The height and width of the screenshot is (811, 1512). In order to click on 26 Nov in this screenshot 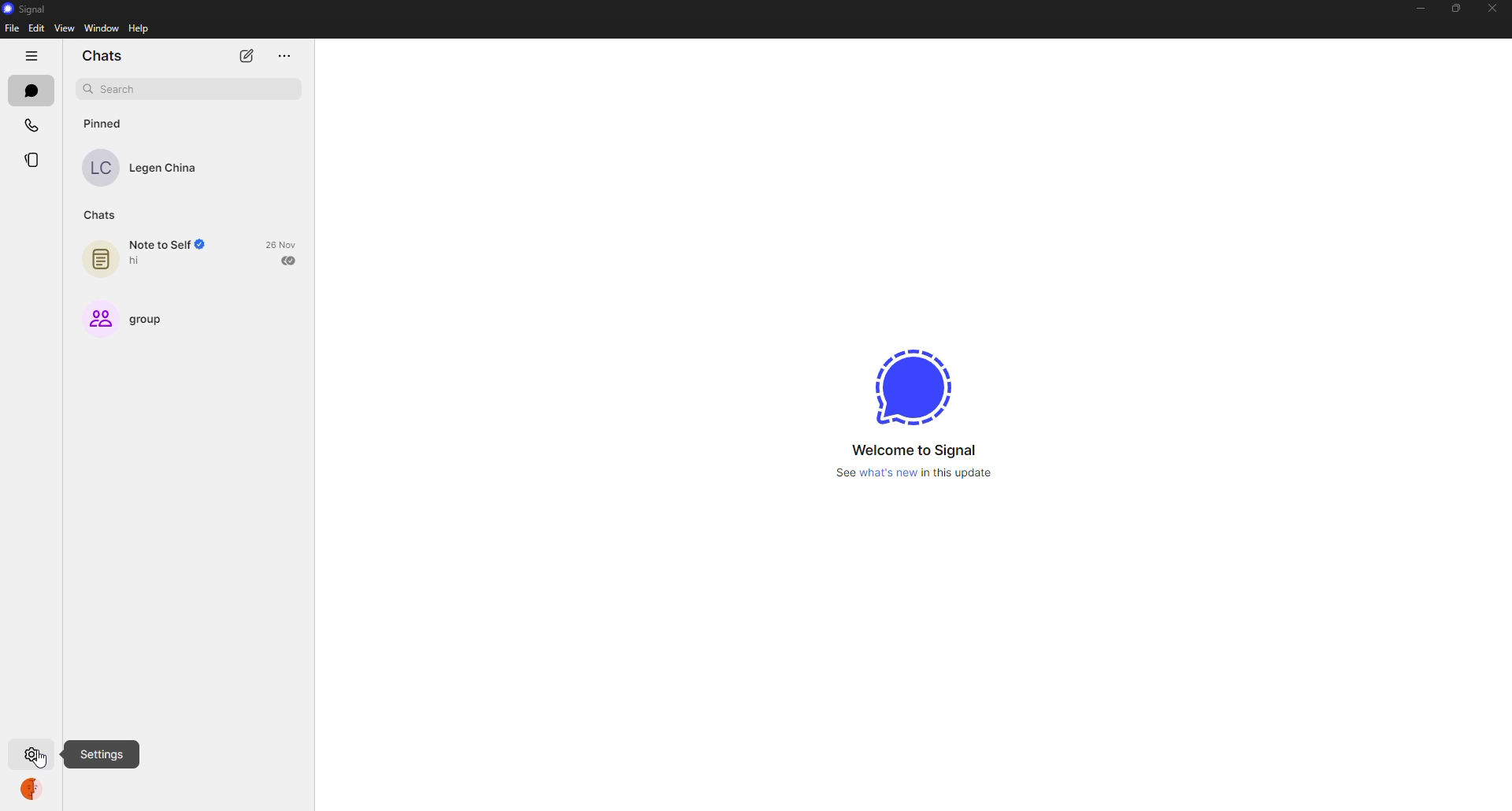, I will do `click(279, 243)`.